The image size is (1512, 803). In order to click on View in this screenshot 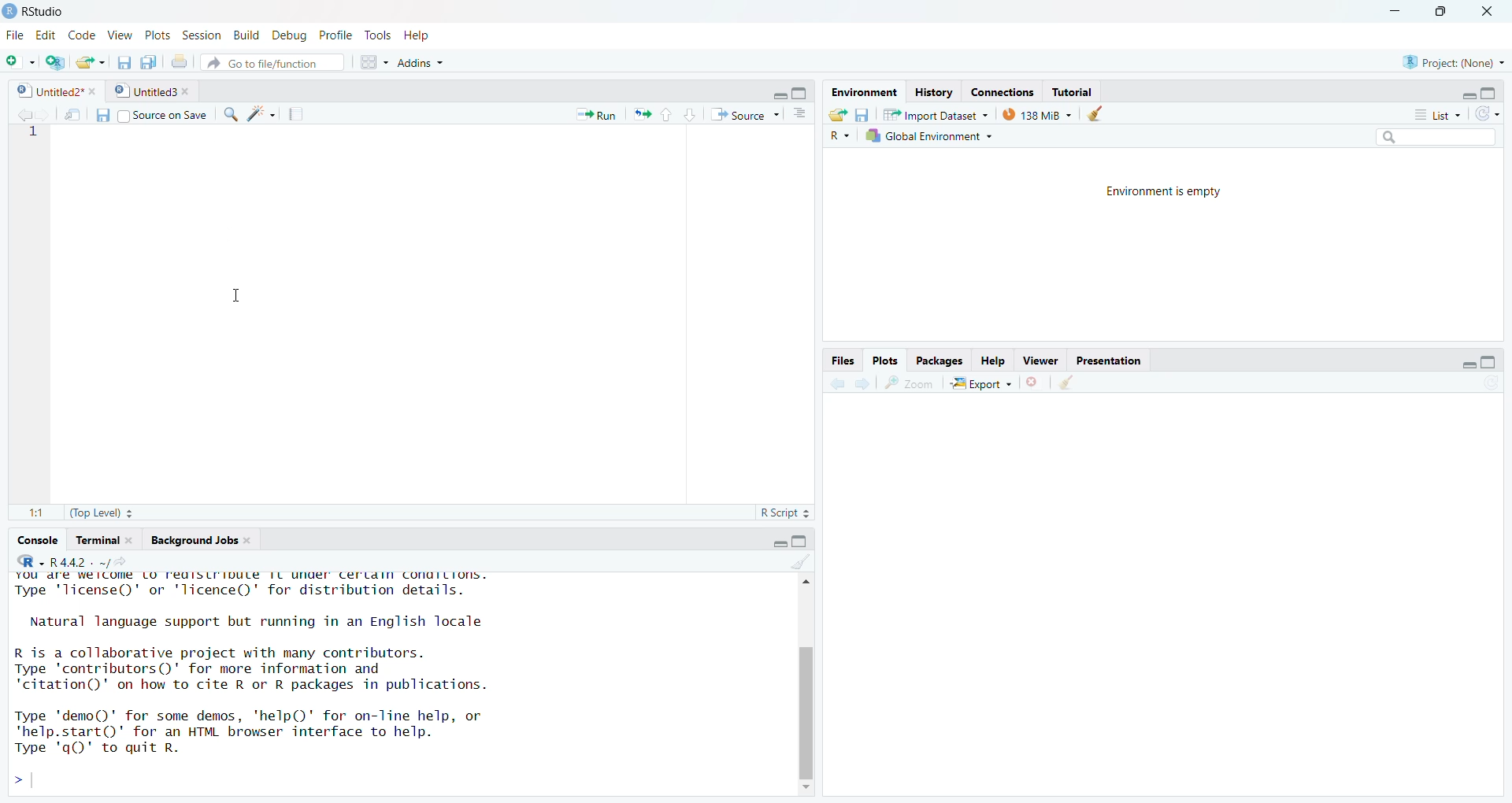, I will do `click(120, 35)`.